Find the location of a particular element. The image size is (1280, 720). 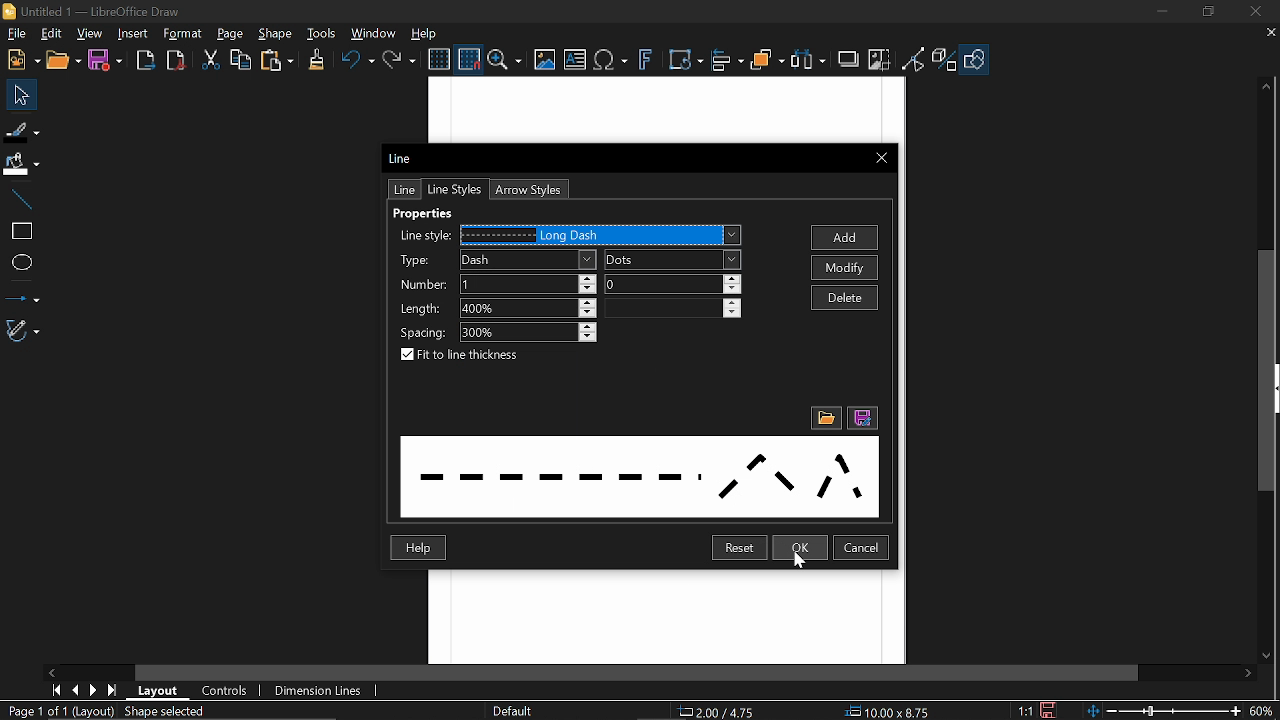

Modify is located at coordinates (847, 268).